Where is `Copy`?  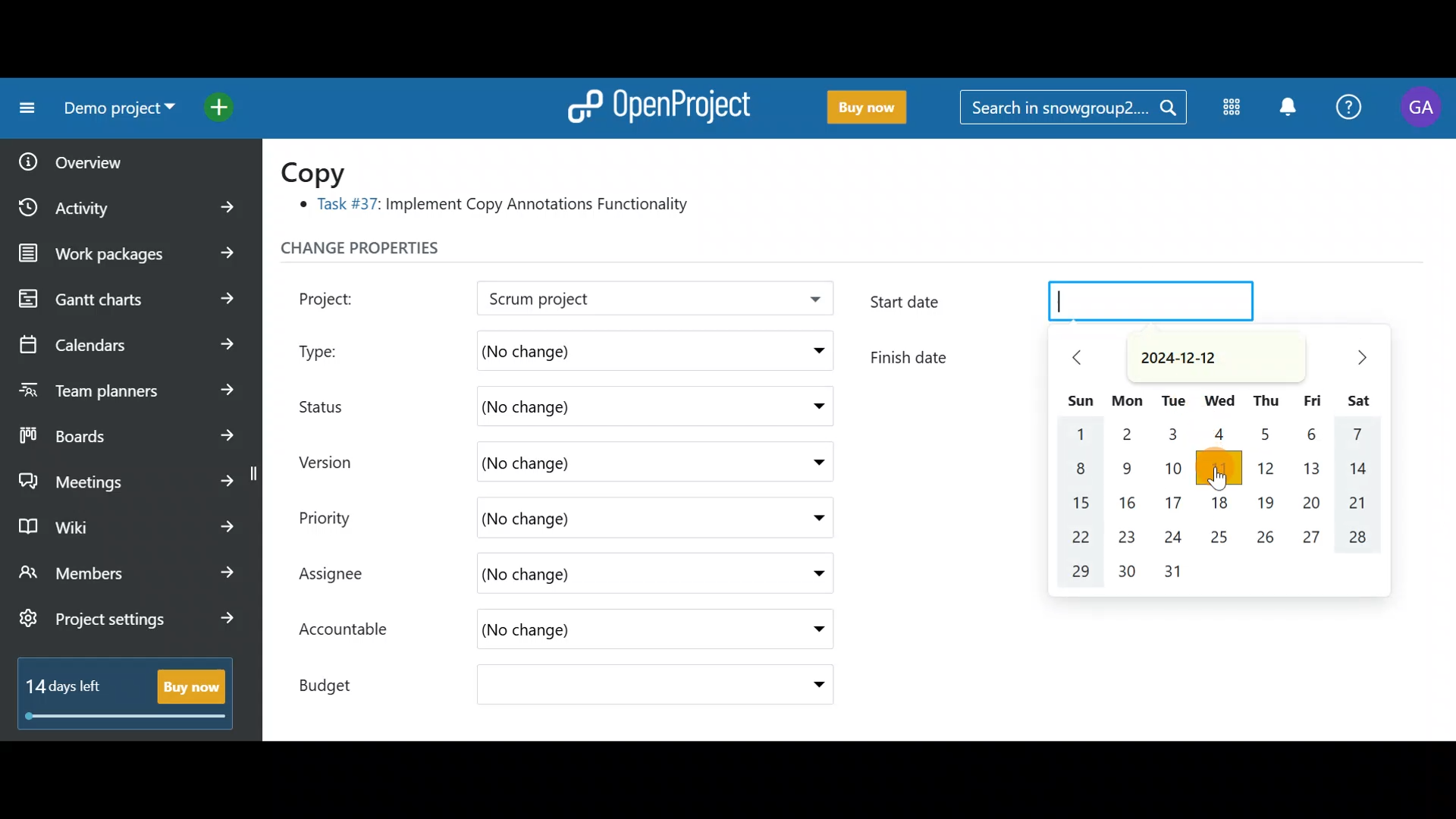
Copy is located at coordinates (323, 171).